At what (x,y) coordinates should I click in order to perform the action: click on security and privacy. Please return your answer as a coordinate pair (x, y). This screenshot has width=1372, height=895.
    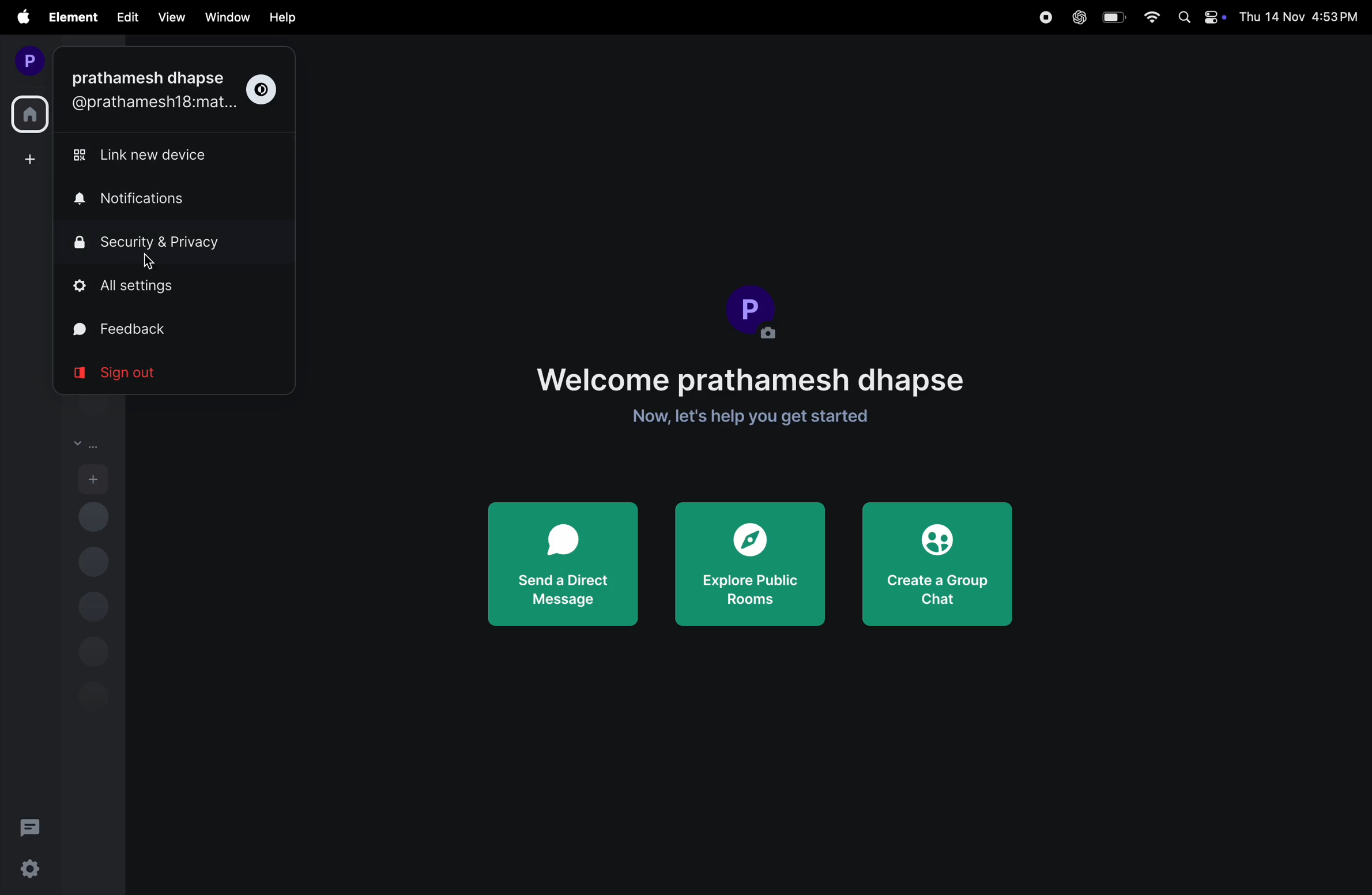
    Looking at the image, I should click on (169, 242).